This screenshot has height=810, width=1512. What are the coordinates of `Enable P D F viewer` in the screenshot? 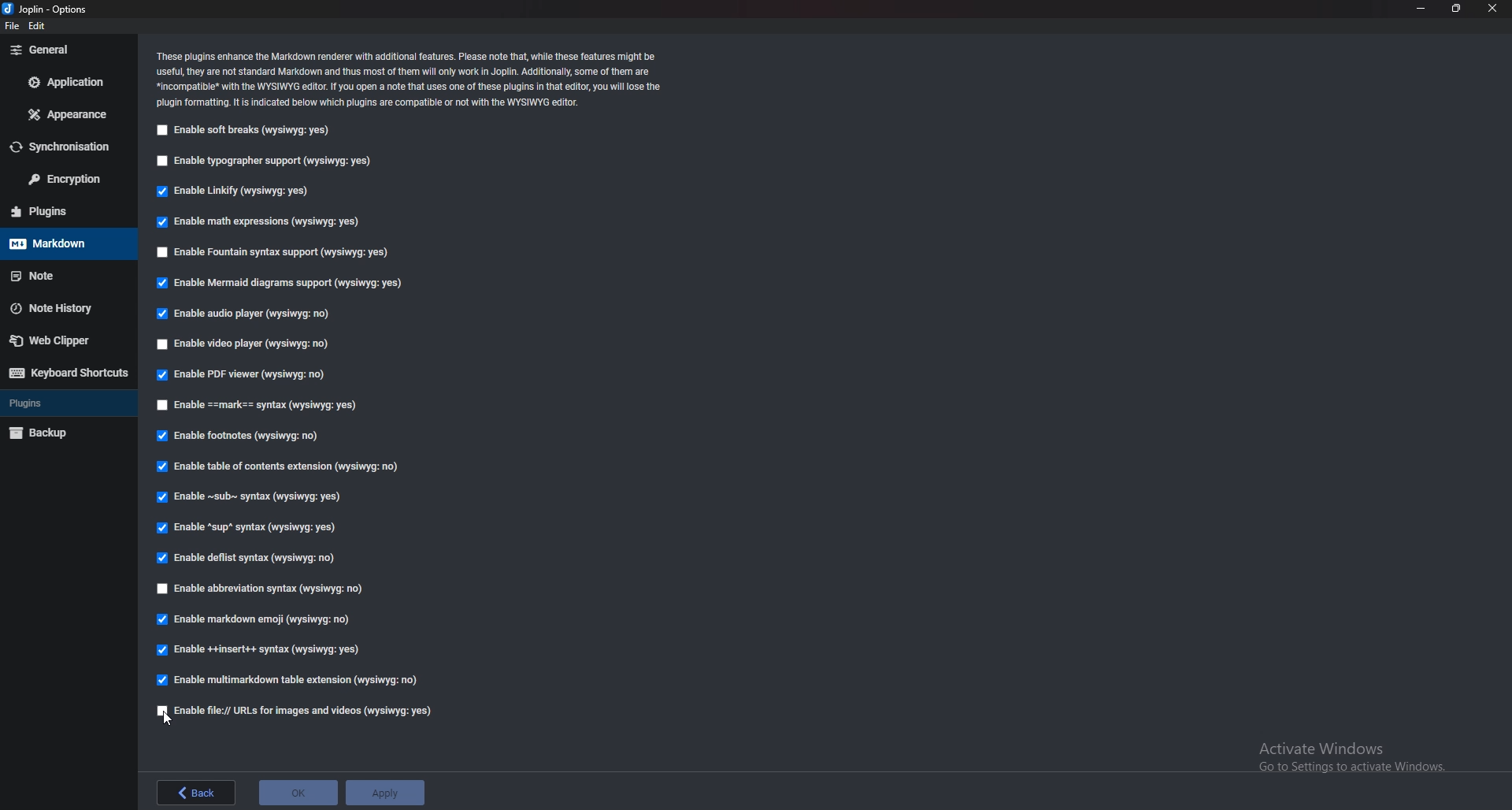 It's located at (239, 374).